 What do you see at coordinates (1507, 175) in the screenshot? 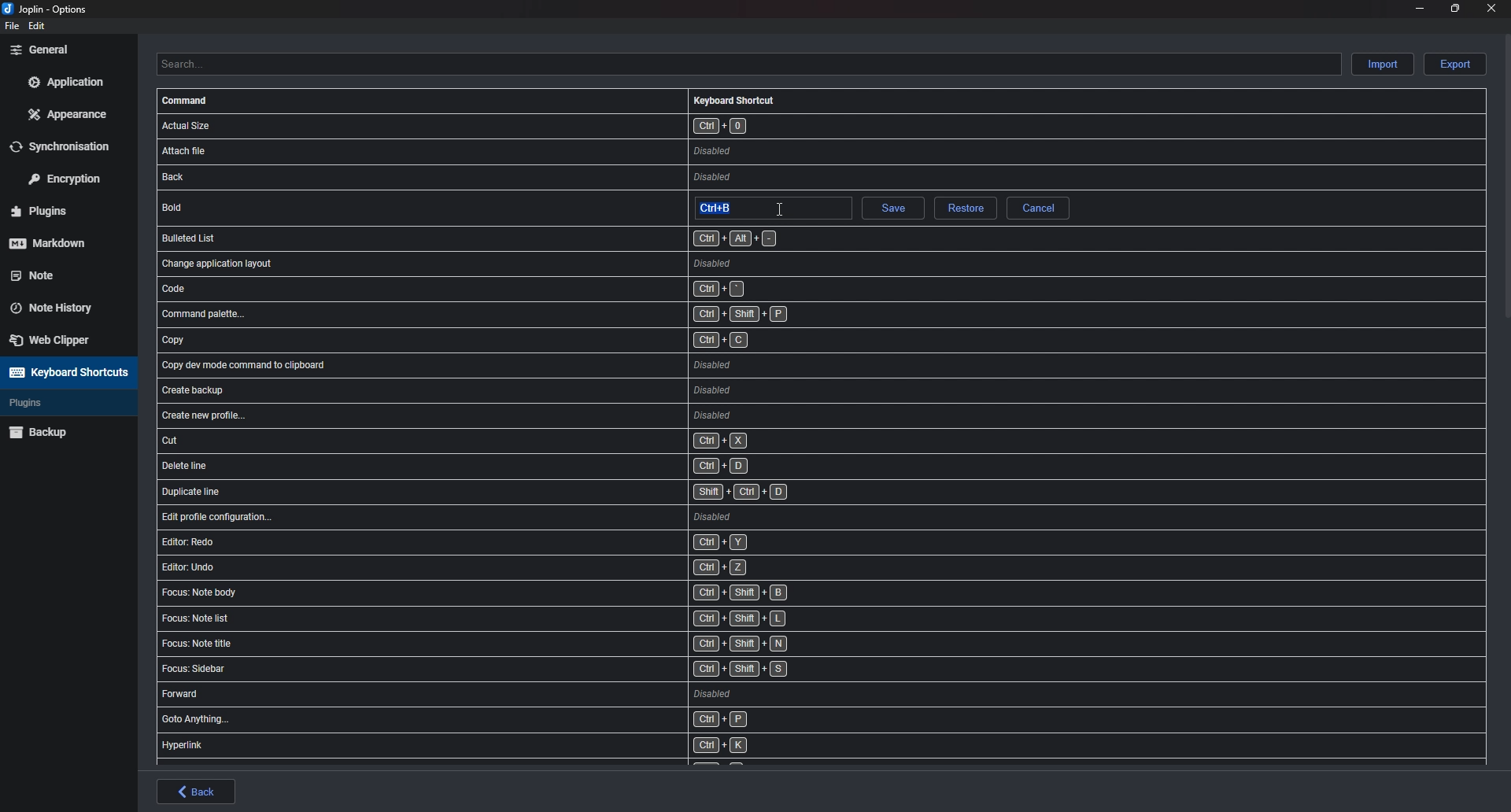
I see `scroll bar` at bounding box center [1507, 175].